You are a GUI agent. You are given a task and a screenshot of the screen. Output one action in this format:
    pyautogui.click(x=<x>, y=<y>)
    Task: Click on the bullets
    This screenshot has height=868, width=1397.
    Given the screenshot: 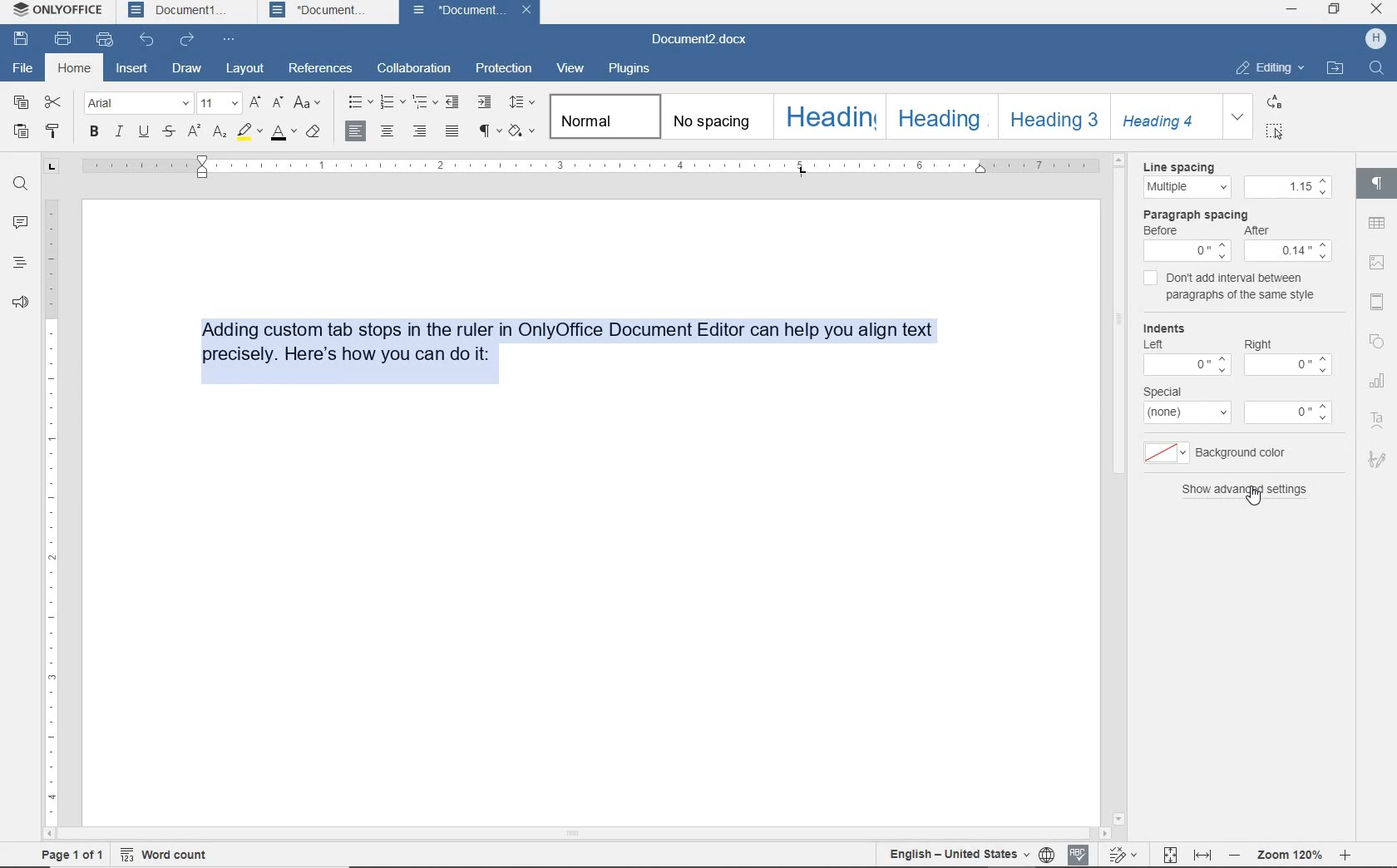 What is the action you would take?
    pyautogui.click(x=358, y=101)
    